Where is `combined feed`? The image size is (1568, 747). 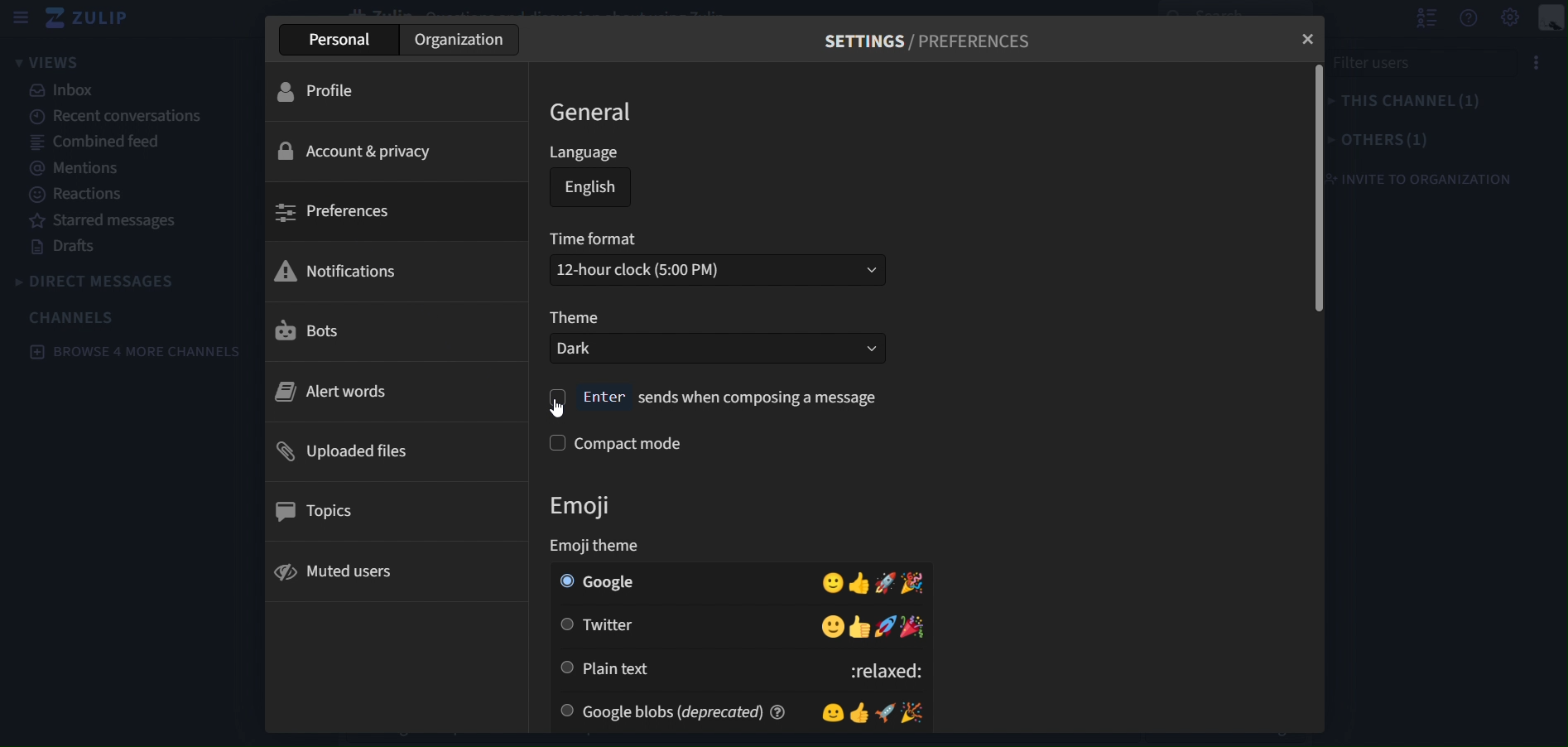 combined feed is located at coordinates (96, 144).